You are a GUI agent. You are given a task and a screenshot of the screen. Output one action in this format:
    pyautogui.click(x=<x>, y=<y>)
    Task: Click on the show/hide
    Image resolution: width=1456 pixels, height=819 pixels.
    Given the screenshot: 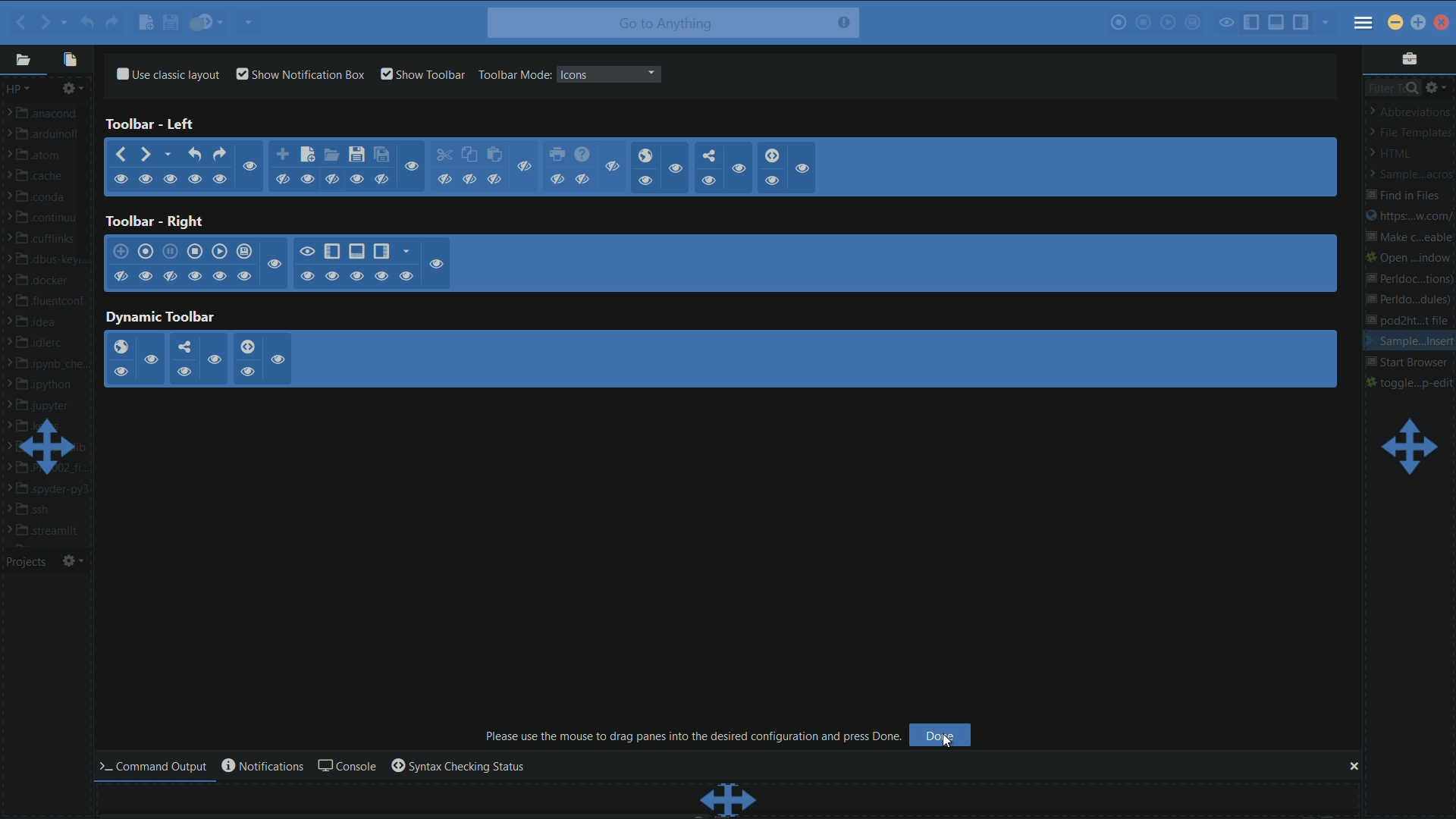 What is the action you would take?
    pyautogui.click(x=710, y=182)
    